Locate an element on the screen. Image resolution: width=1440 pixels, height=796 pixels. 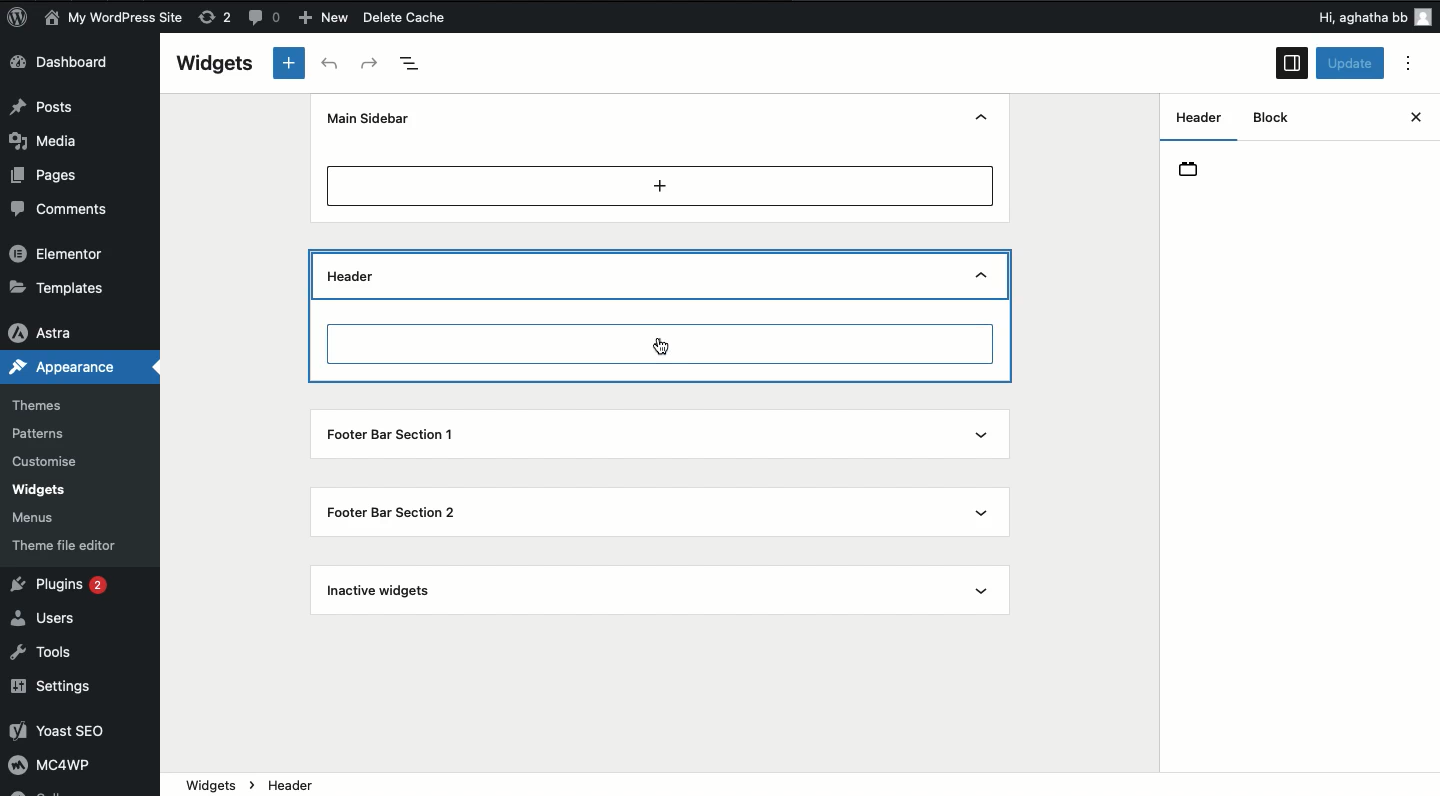
Tools is located at coordinates (50, 653).